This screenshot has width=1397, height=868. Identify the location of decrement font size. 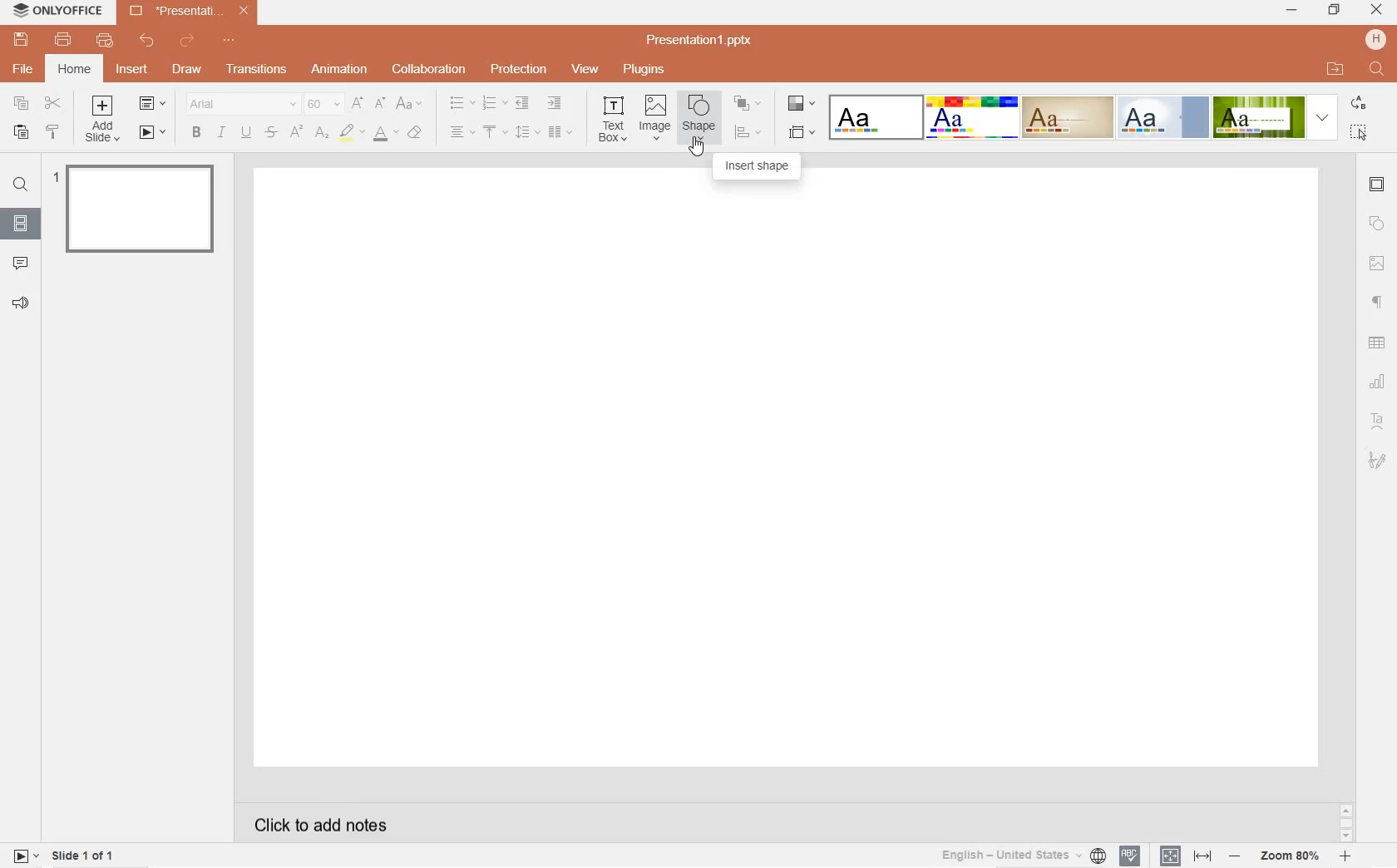
(381, 102).